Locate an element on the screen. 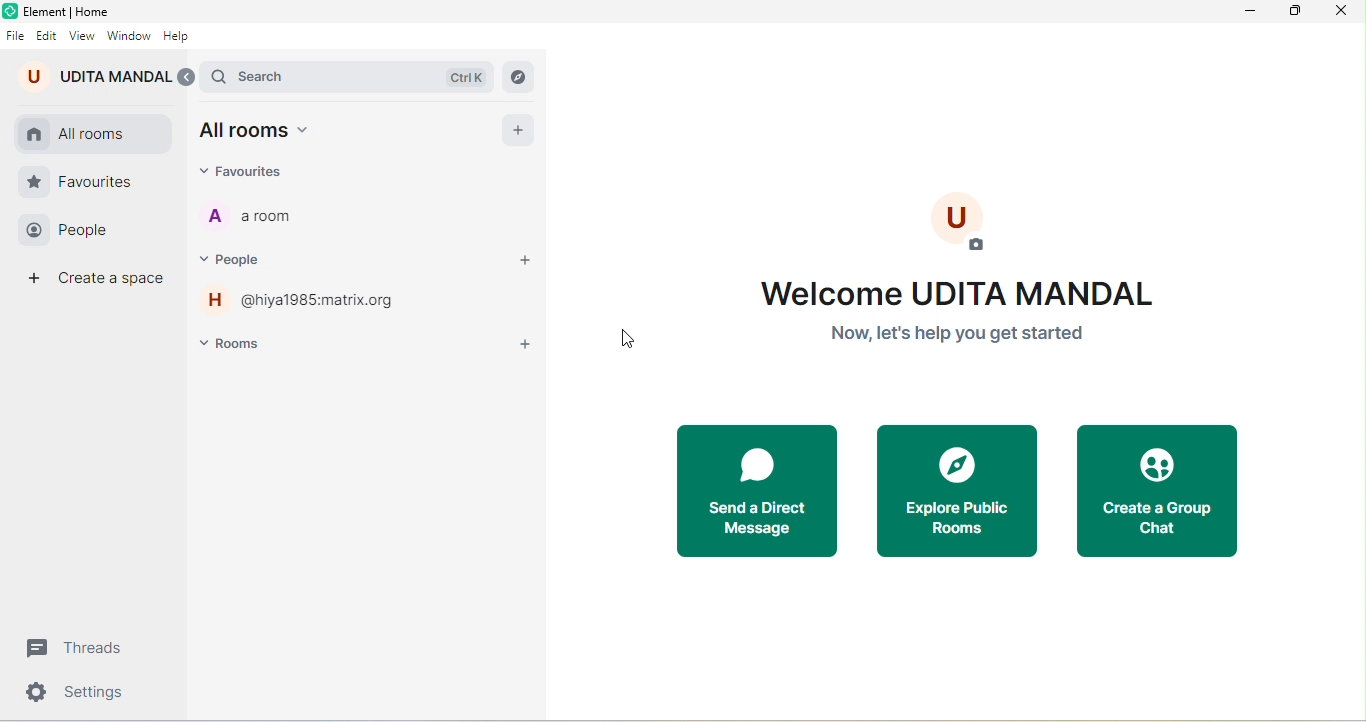  explore public rooms is located at coordinates (955, 491).